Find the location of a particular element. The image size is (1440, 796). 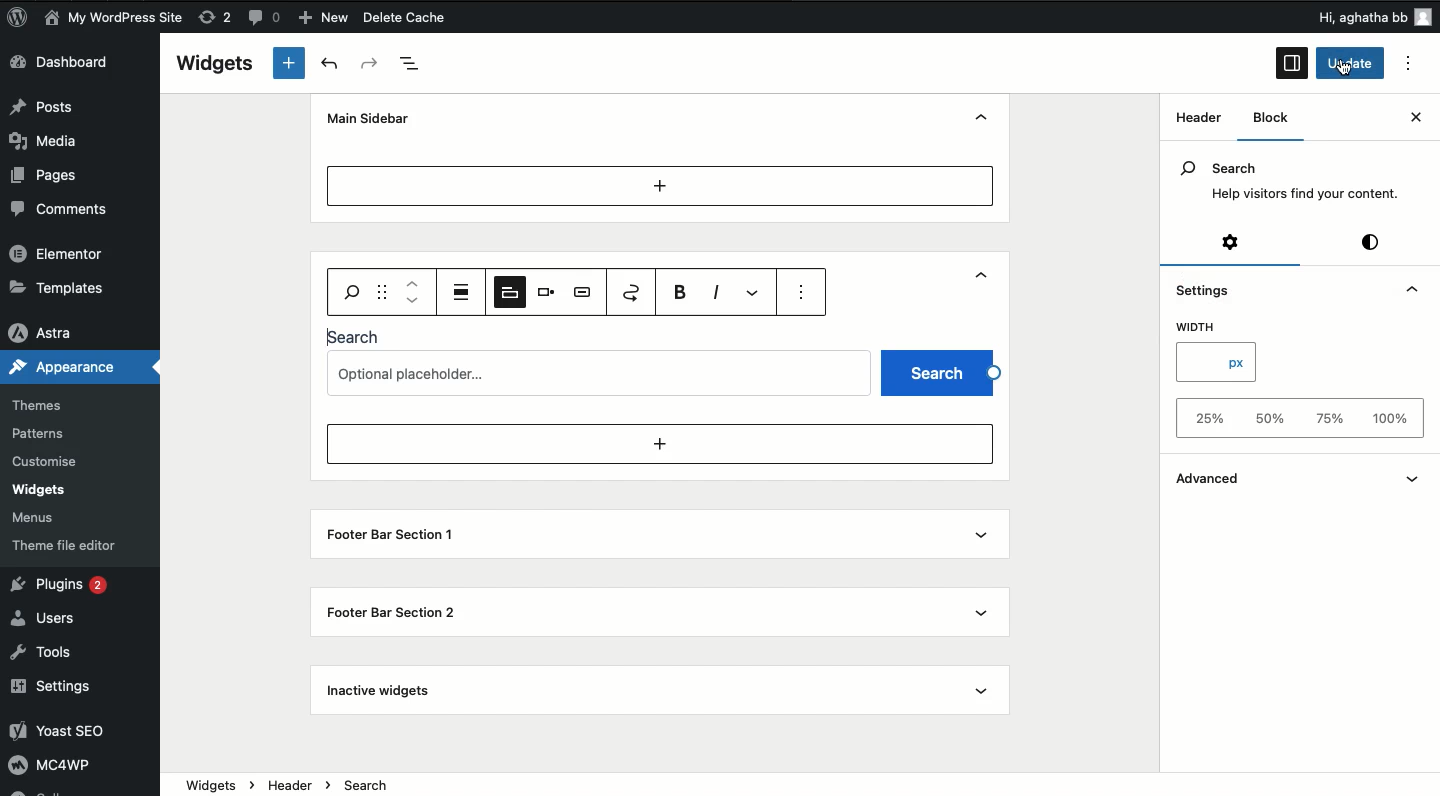

Posts is located at coordinates (51, 107).